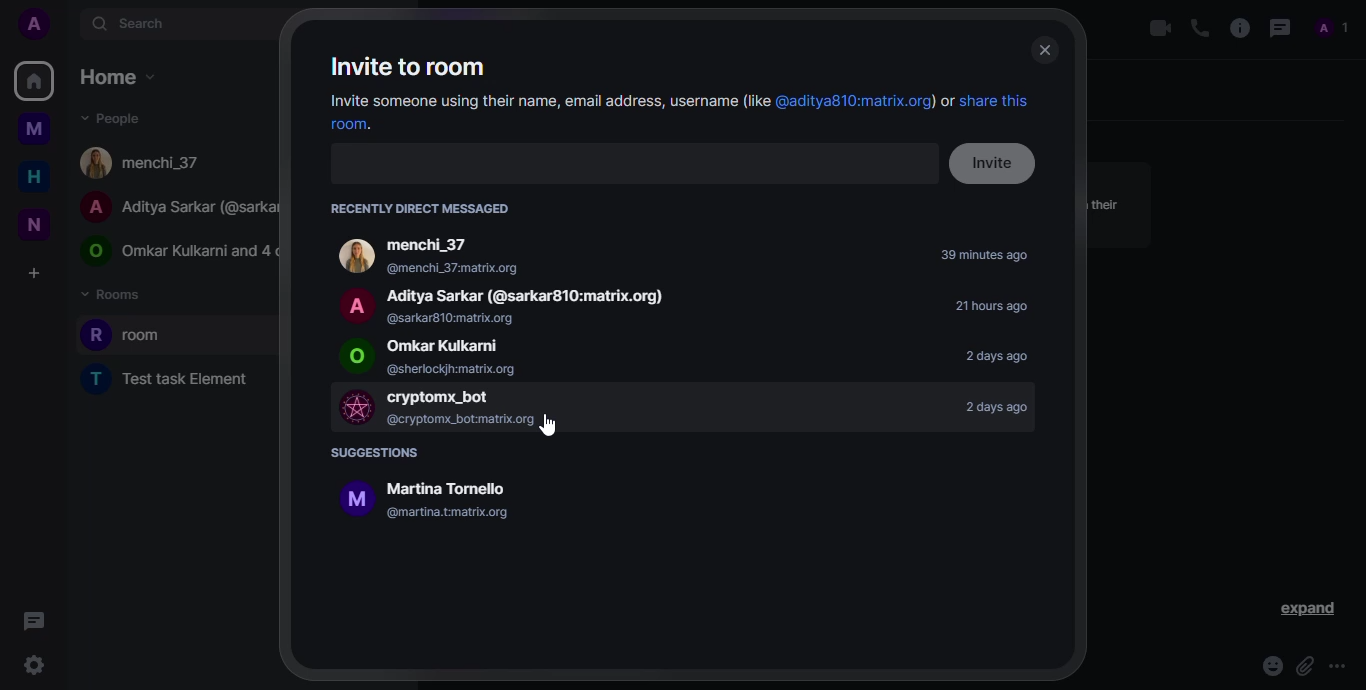 This screenshot has width=1366, height=690. Describe the element at coordinates (35, 271) in the screenshot. I see `+` at that location.